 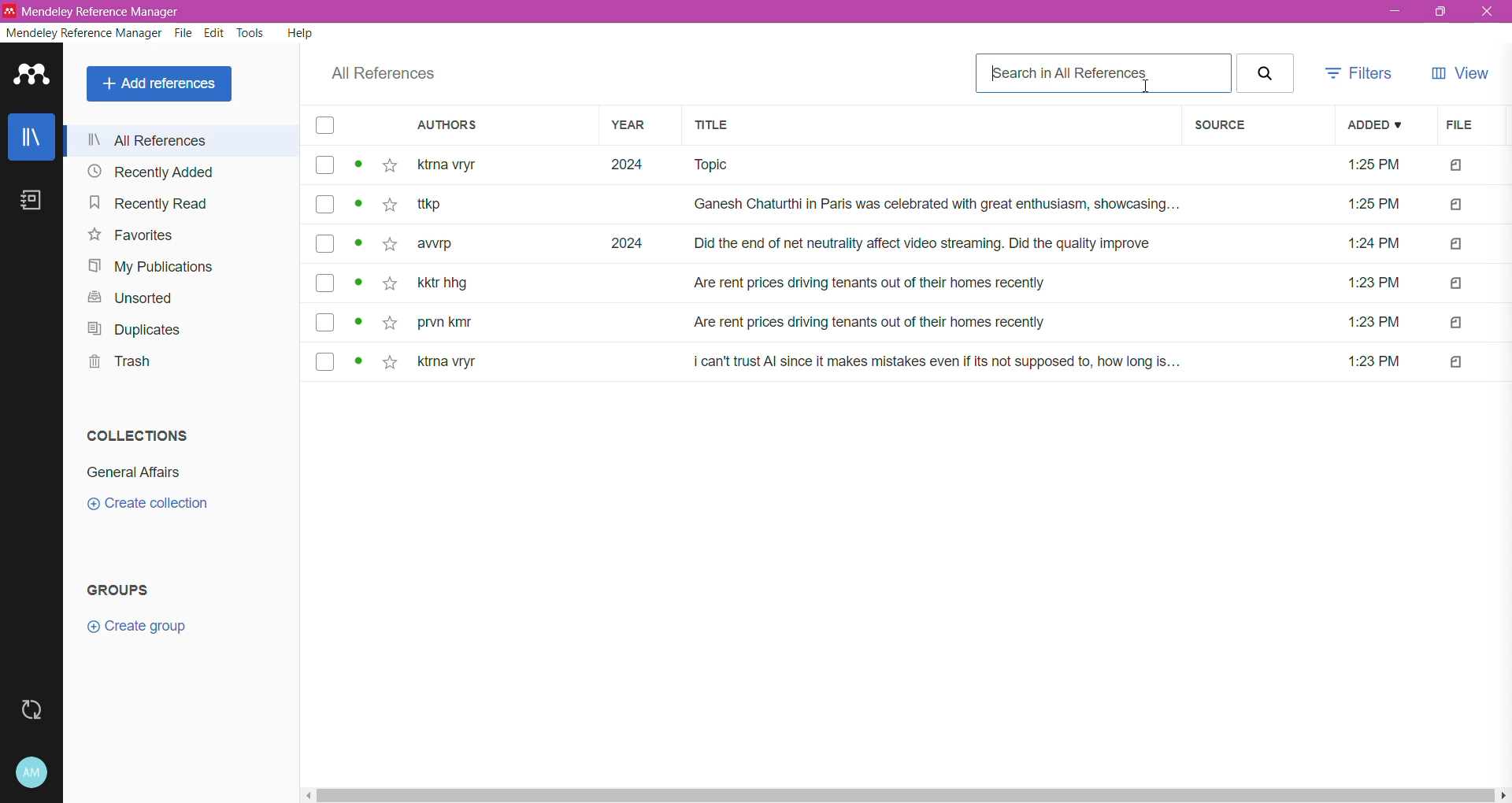 What do you see at coordinates (33, 712) in the screenshot?
I see `Last Sync` at bounding box center [33, 712].